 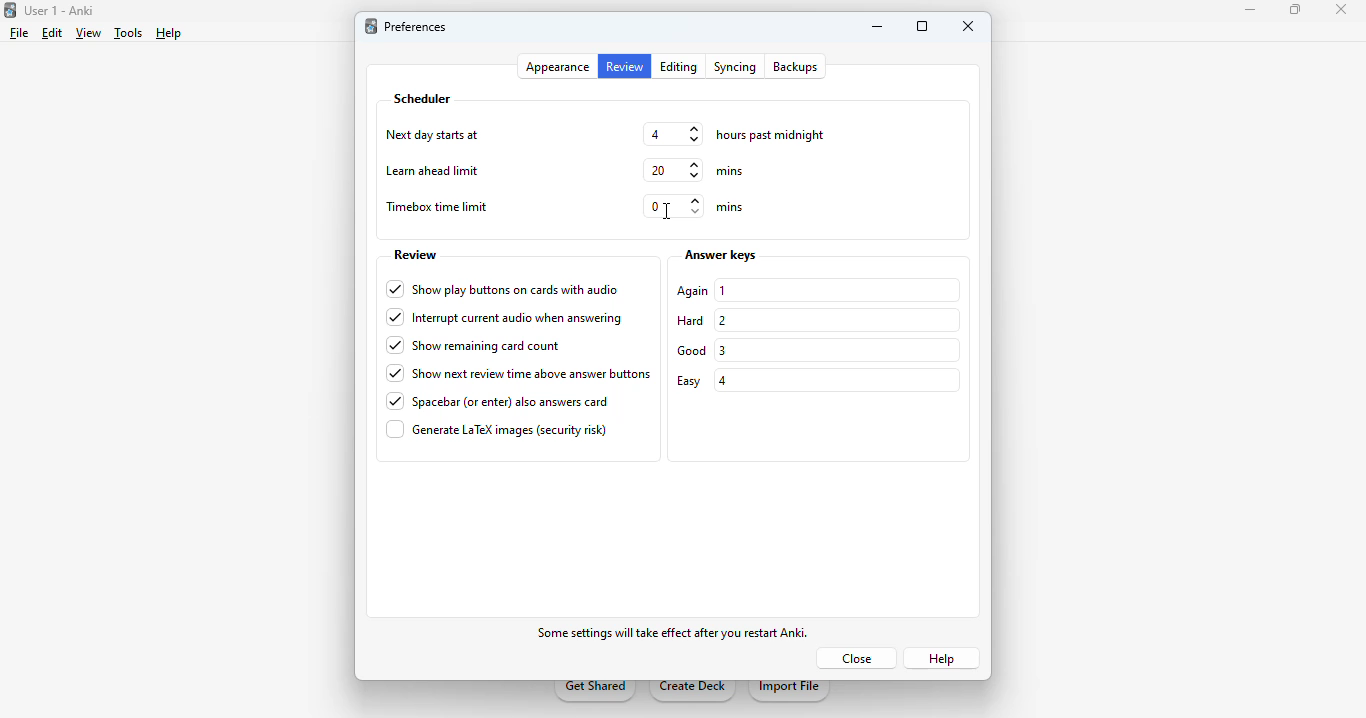 I want to click on show play buttons on cards with audio, so click(x=502, y=290).